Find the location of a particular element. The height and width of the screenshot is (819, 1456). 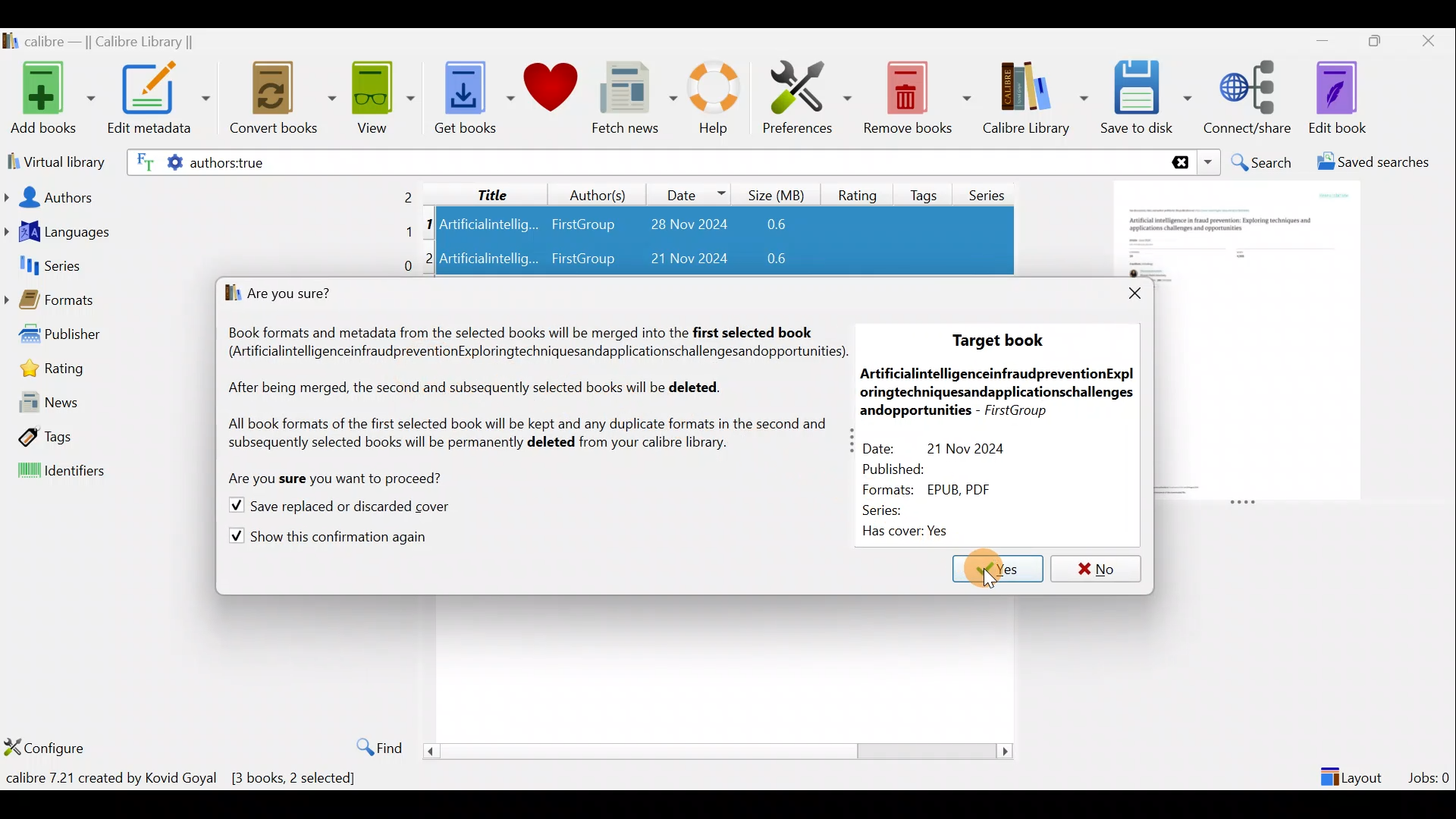

Size is located at coordinates (780, 193).